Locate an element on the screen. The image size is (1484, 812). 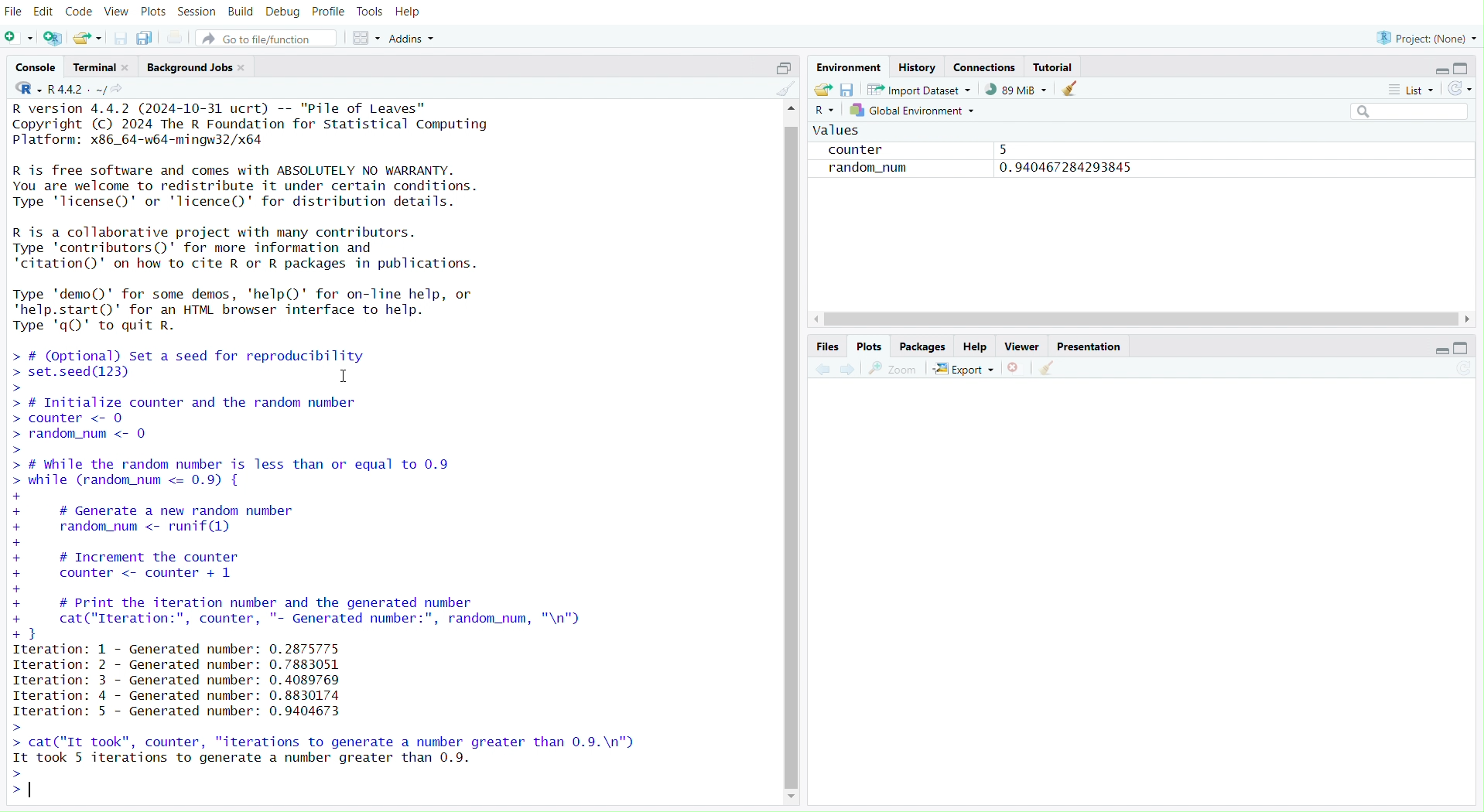
Down is located at coordinates (795, 800).